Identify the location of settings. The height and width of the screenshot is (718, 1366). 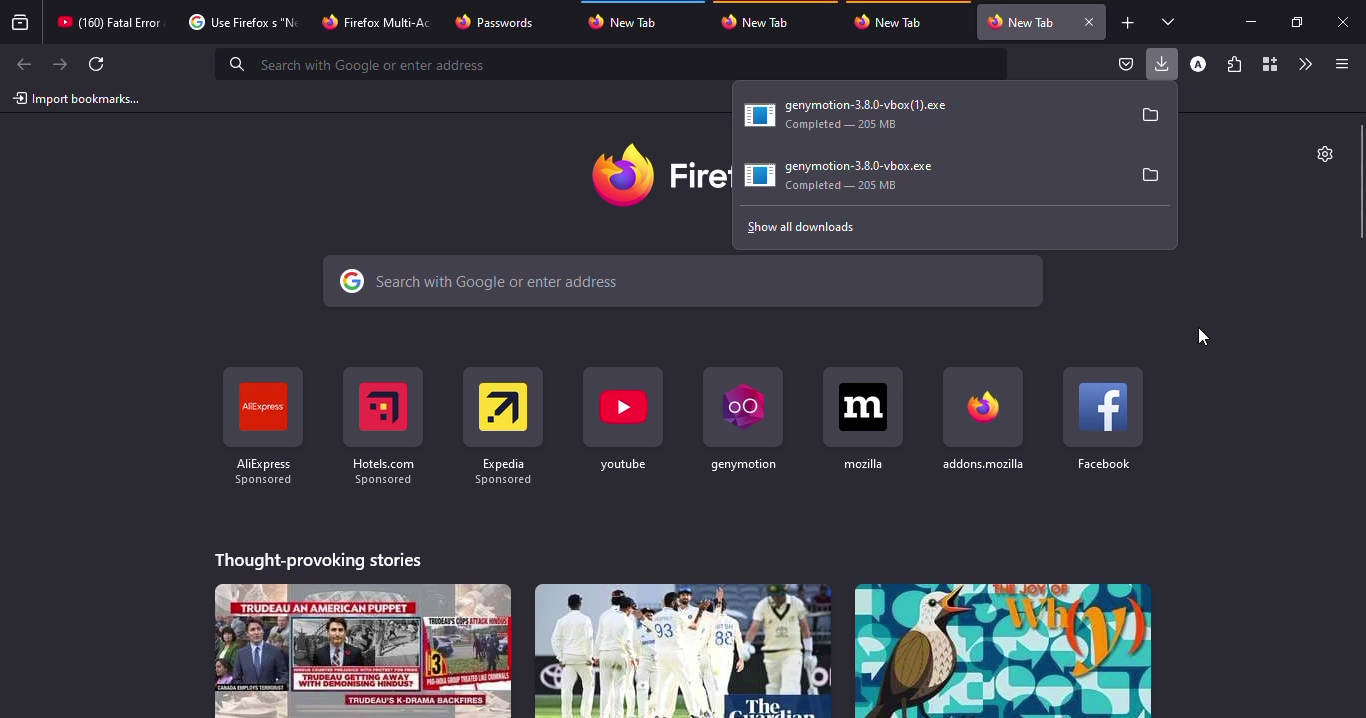
(1322, 153).